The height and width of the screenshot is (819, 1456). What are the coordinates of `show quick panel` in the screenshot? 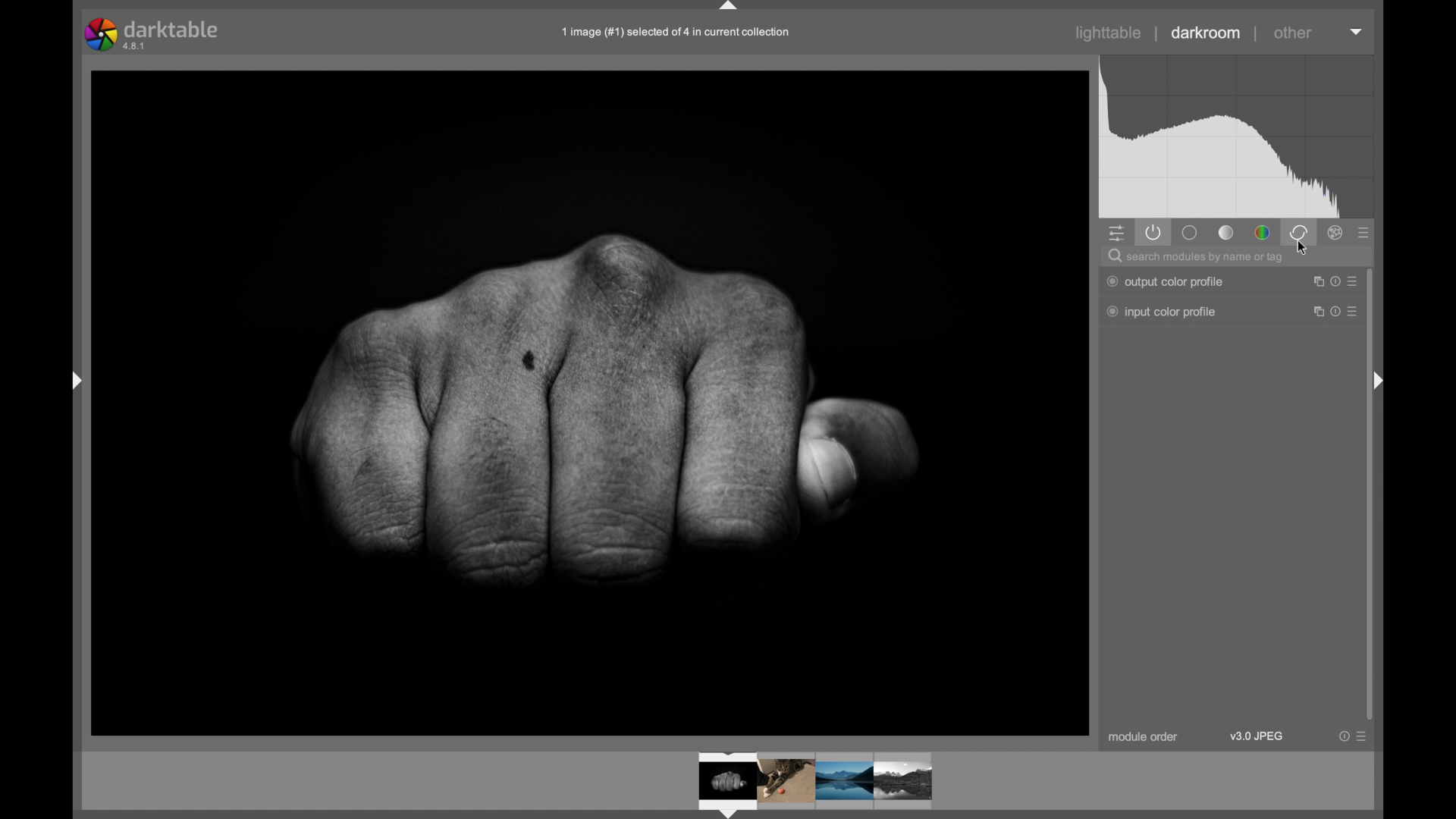 It's located at (1116, 234).